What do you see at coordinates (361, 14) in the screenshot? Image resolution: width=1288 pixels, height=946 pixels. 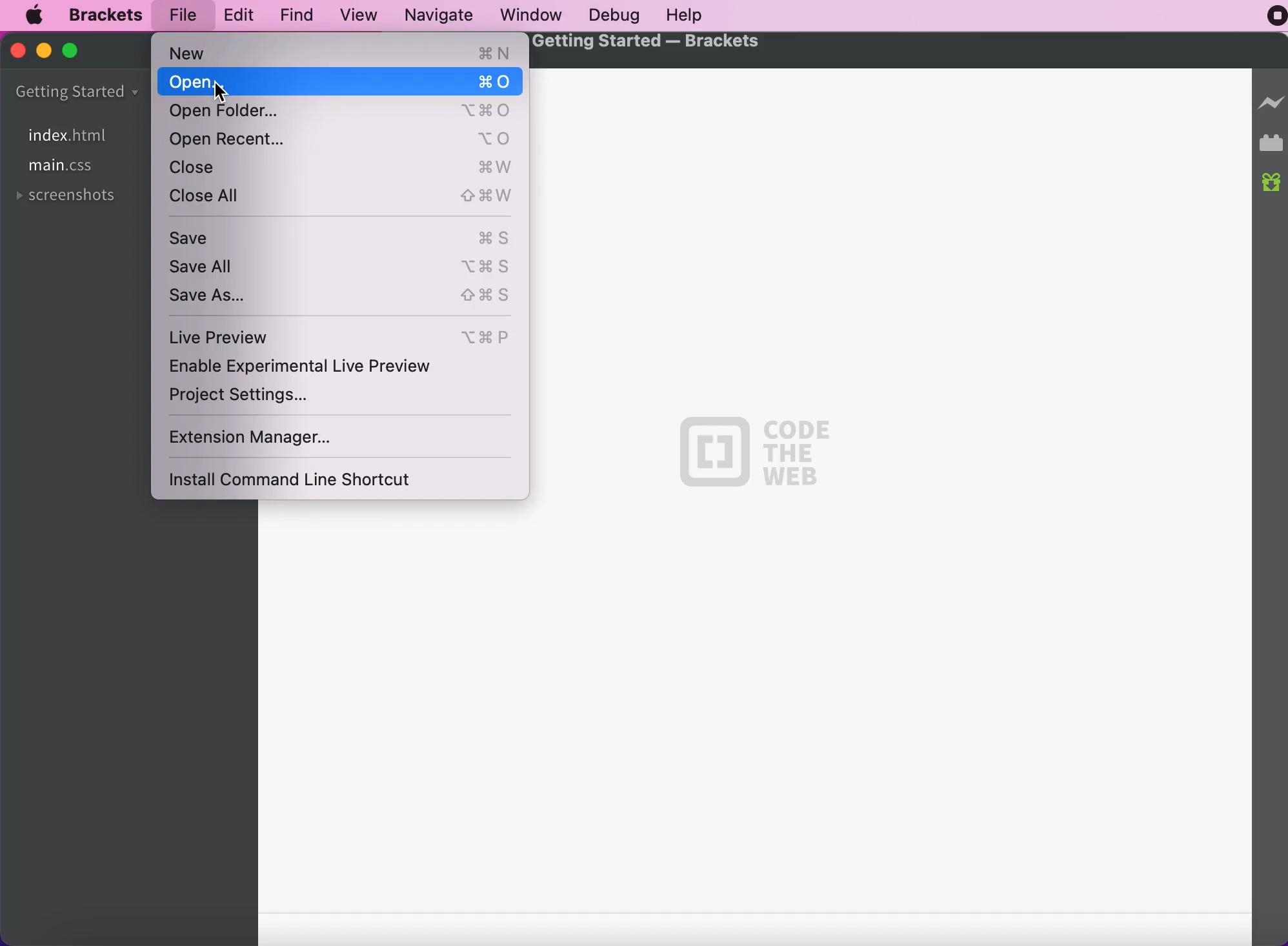 I see `view` at bounding box center [361, 14].